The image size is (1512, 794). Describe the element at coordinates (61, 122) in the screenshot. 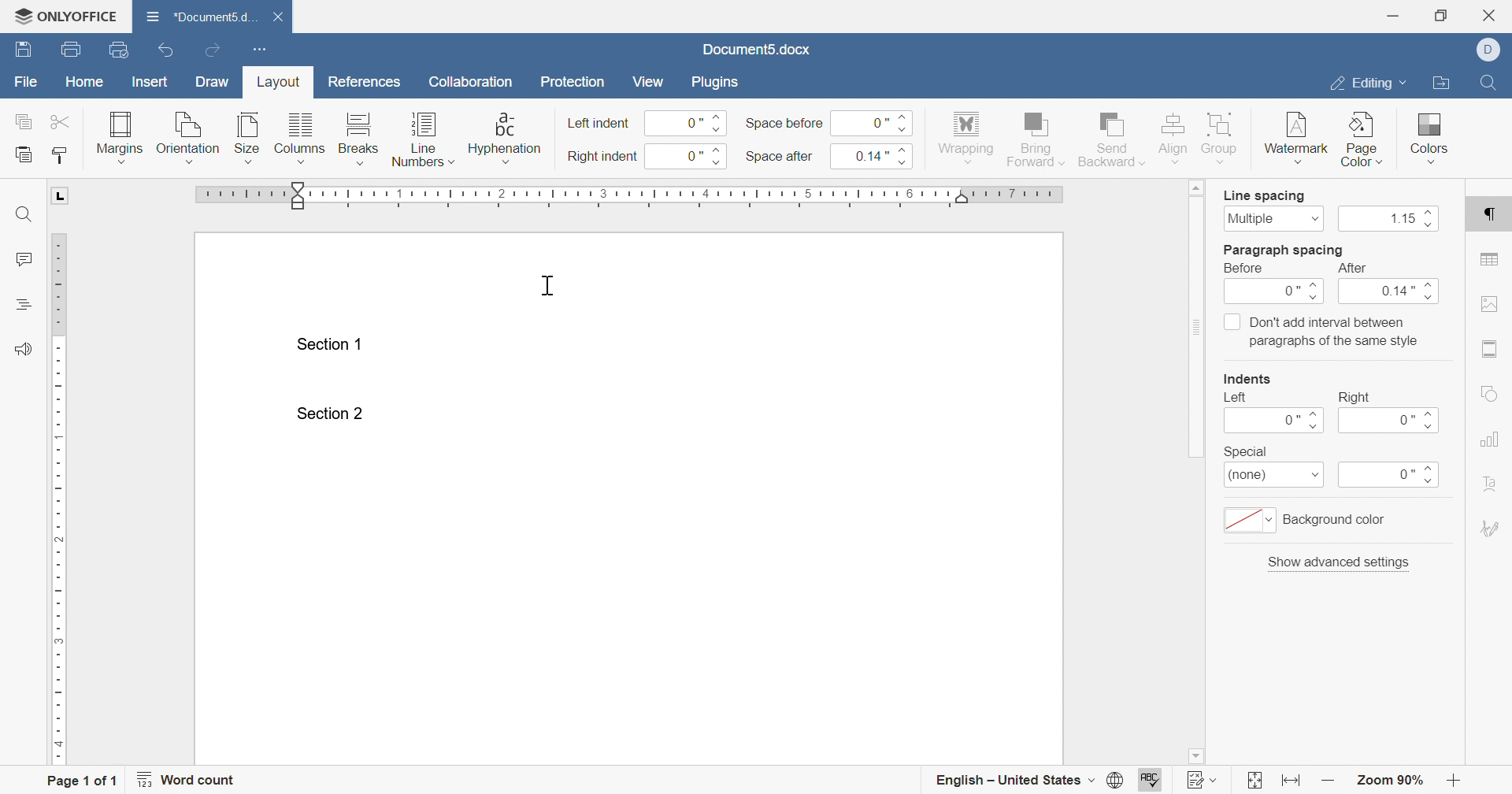

I see `cut` at that location.